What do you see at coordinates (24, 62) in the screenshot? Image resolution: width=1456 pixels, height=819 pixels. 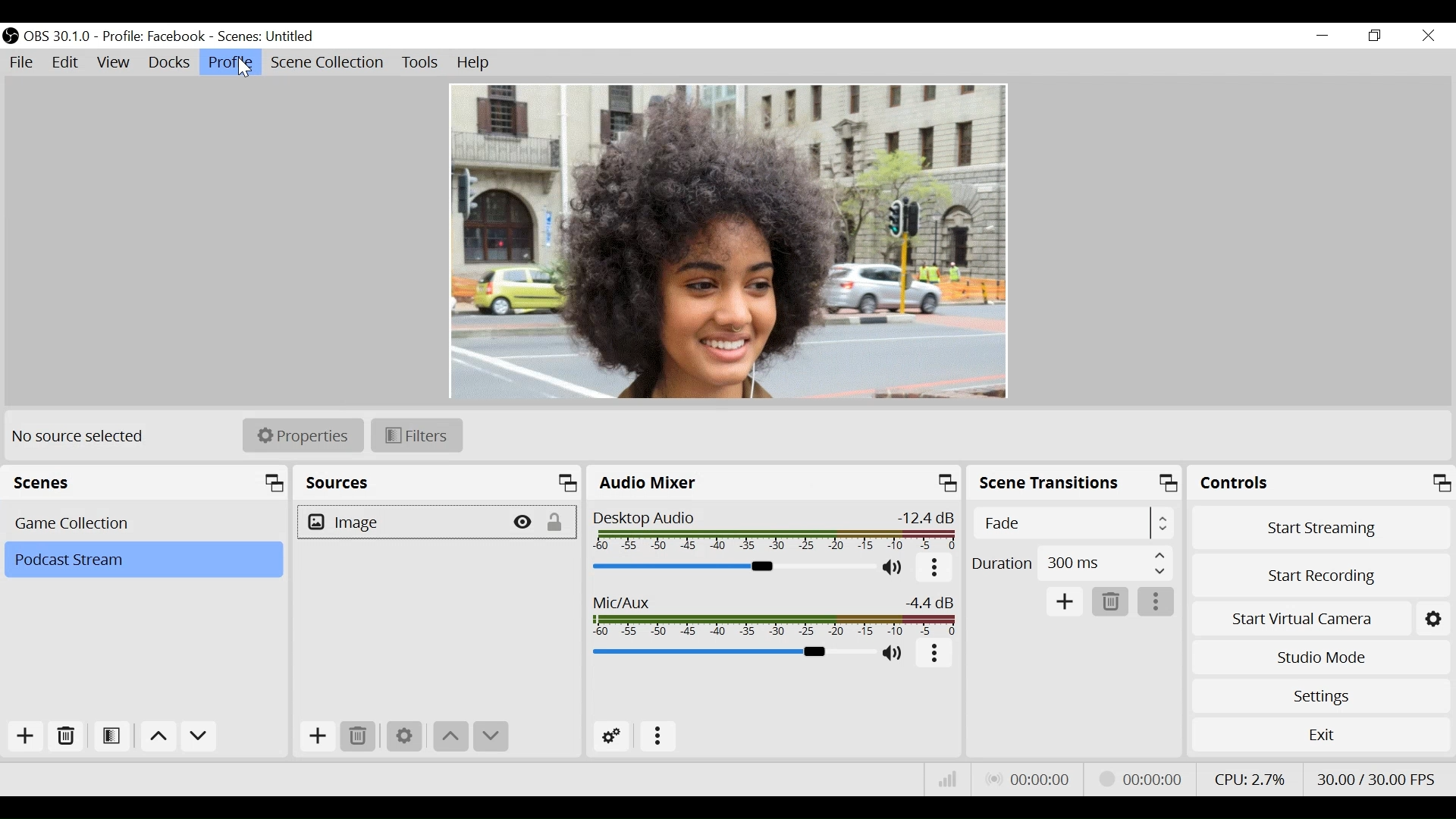 I see `File` at bounding box center [24, 62].